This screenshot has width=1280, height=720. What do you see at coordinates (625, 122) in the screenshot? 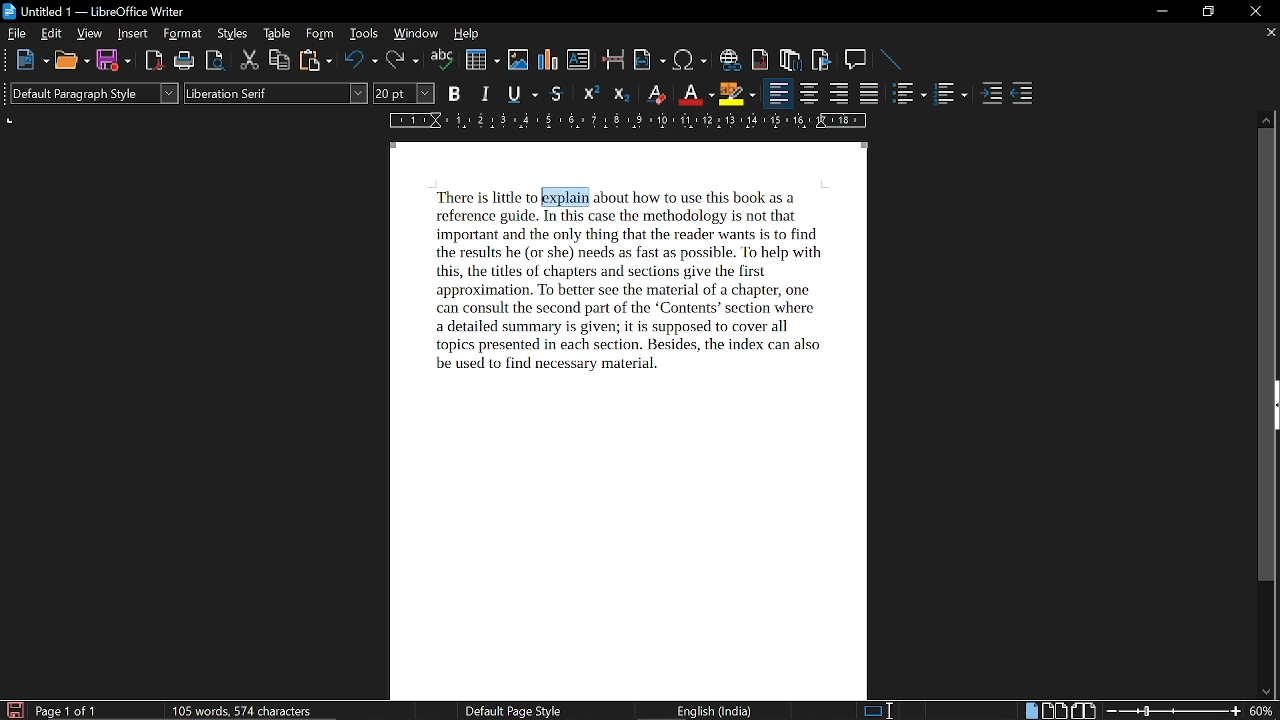
I see `scale` at bounding box center [625, 122].